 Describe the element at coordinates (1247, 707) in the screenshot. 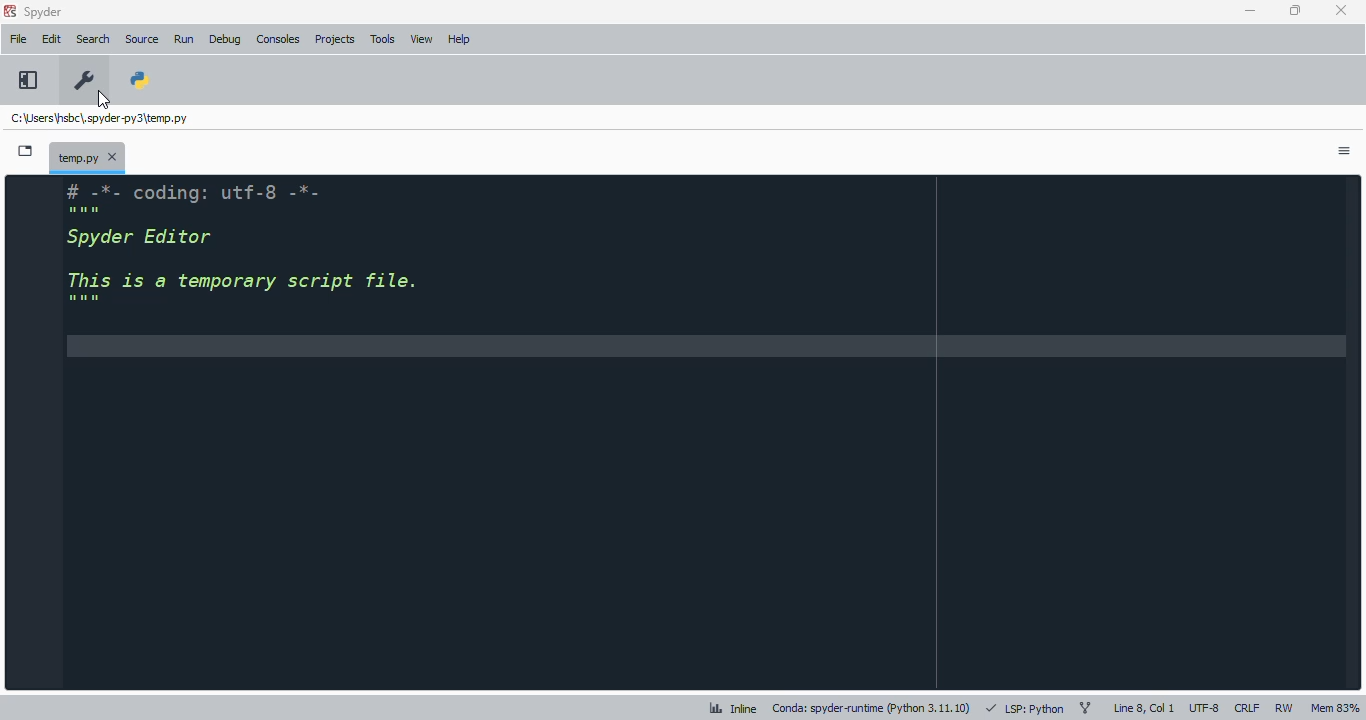

I see `CRLF` at that location.